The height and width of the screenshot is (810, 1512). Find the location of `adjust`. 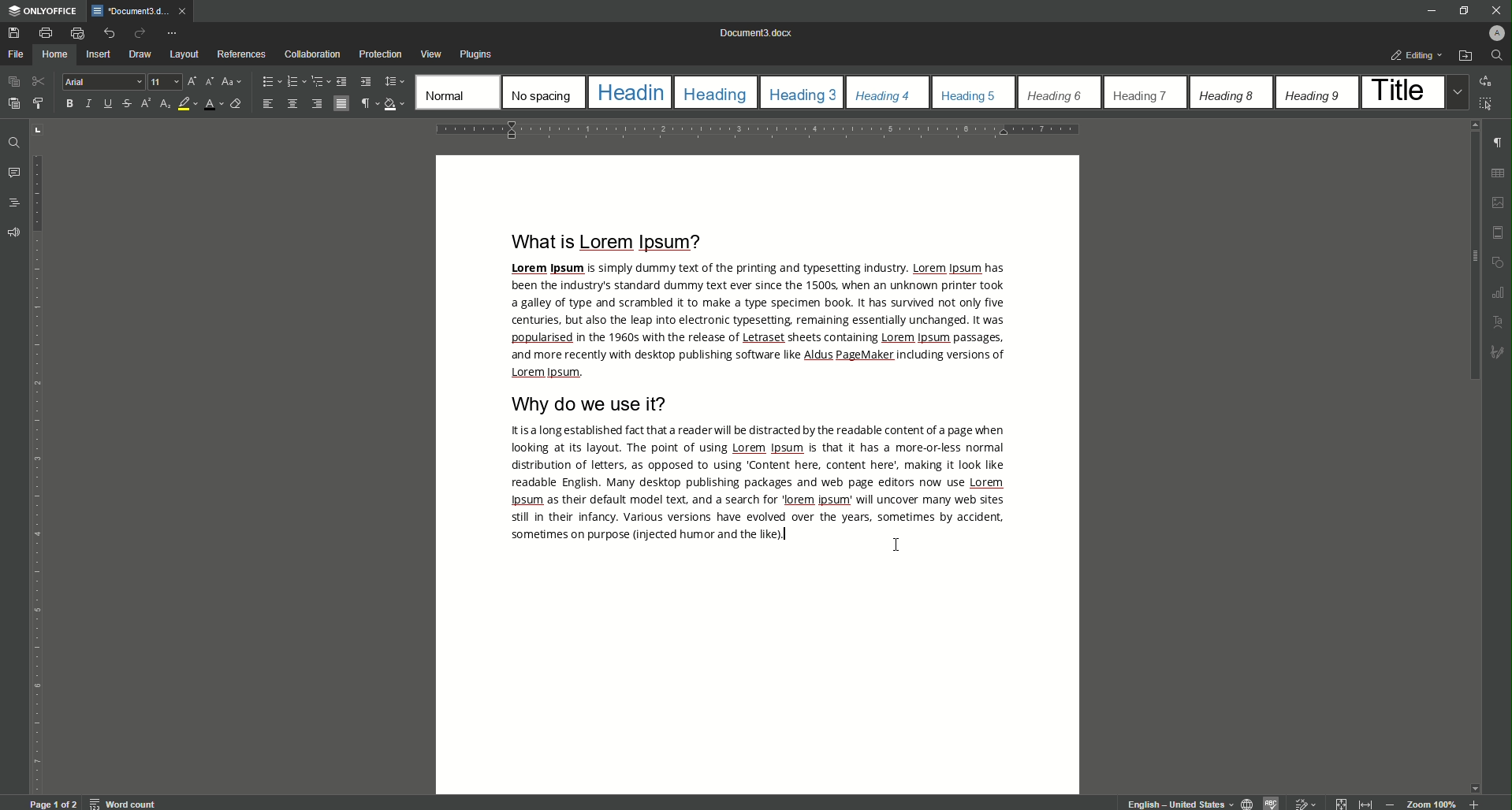

adjust is located at coordinates (43, 128).